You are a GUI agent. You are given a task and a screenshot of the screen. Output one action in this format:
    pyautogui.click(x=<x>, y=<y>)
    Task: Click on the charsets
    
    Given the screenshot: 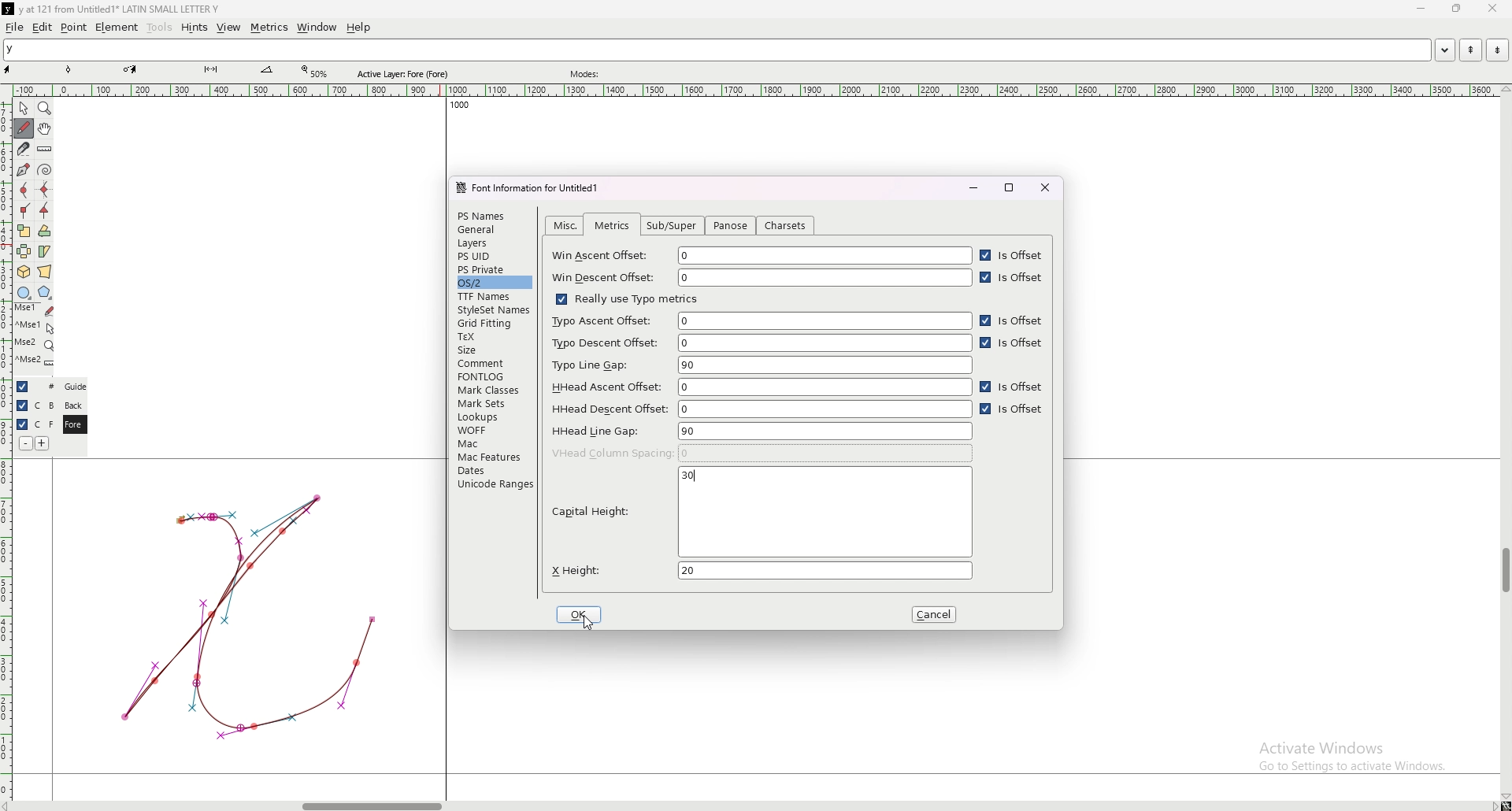 What is the action you would take?
    pyautogui.click(x=786, y=226)
    